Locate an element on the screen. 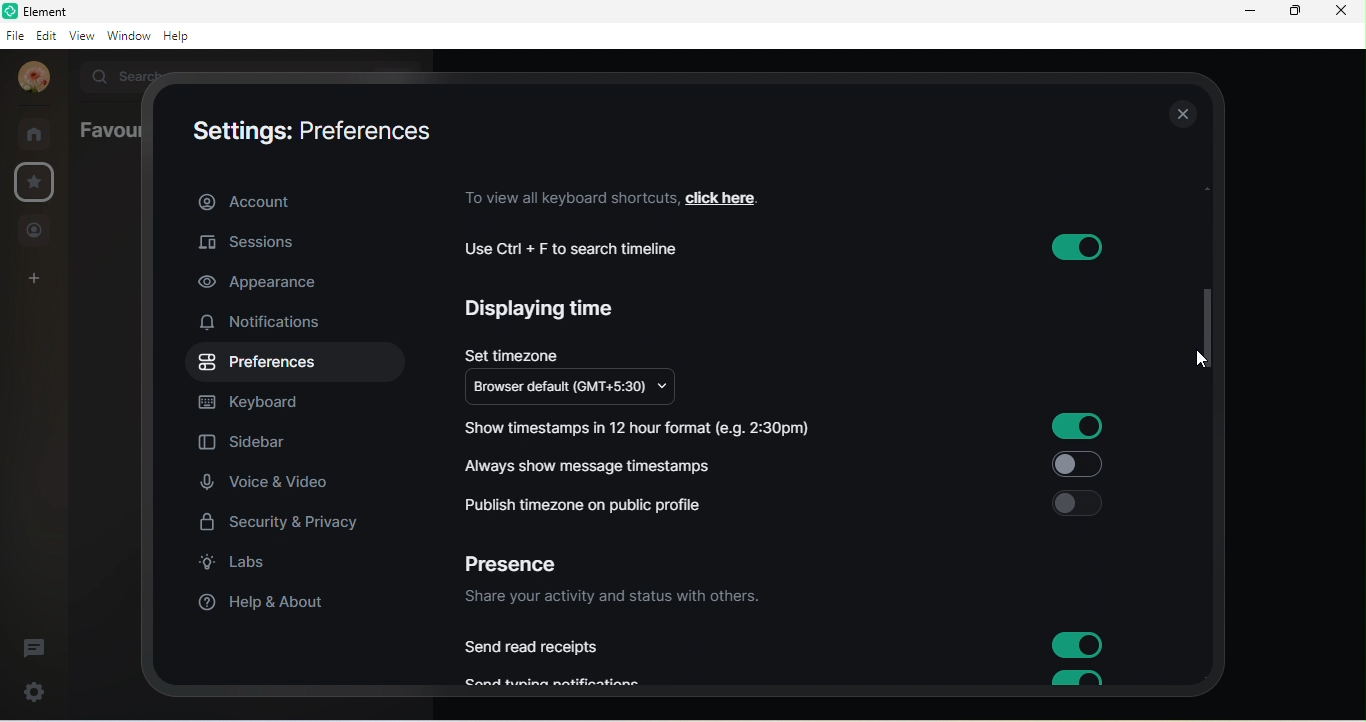 The height and width of the screenshot is (722, 1366). view is located at coordinates (80, 38).